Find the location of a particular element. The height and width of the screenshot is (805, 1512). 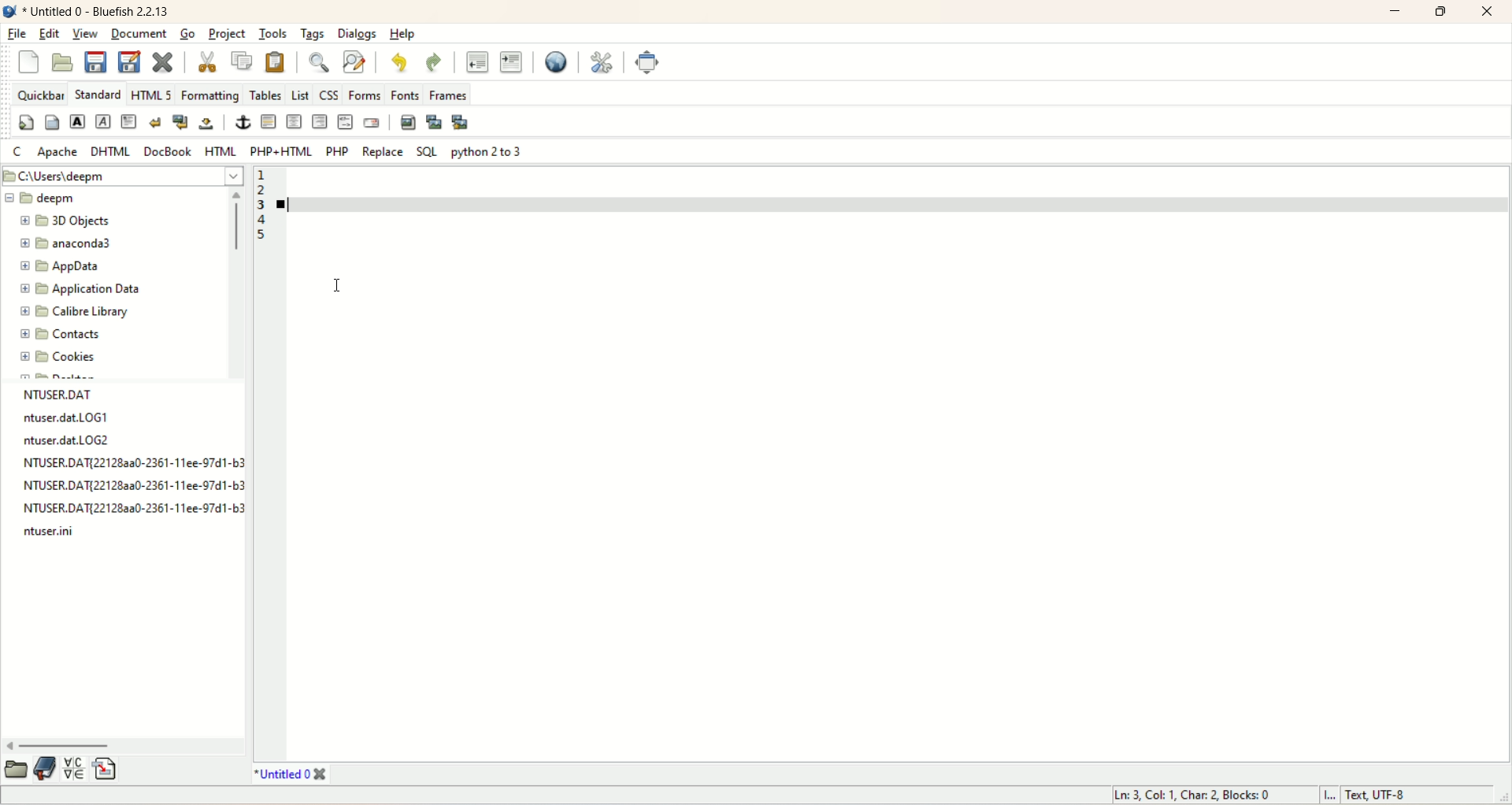

documentation is located at coordinates (44, 771).